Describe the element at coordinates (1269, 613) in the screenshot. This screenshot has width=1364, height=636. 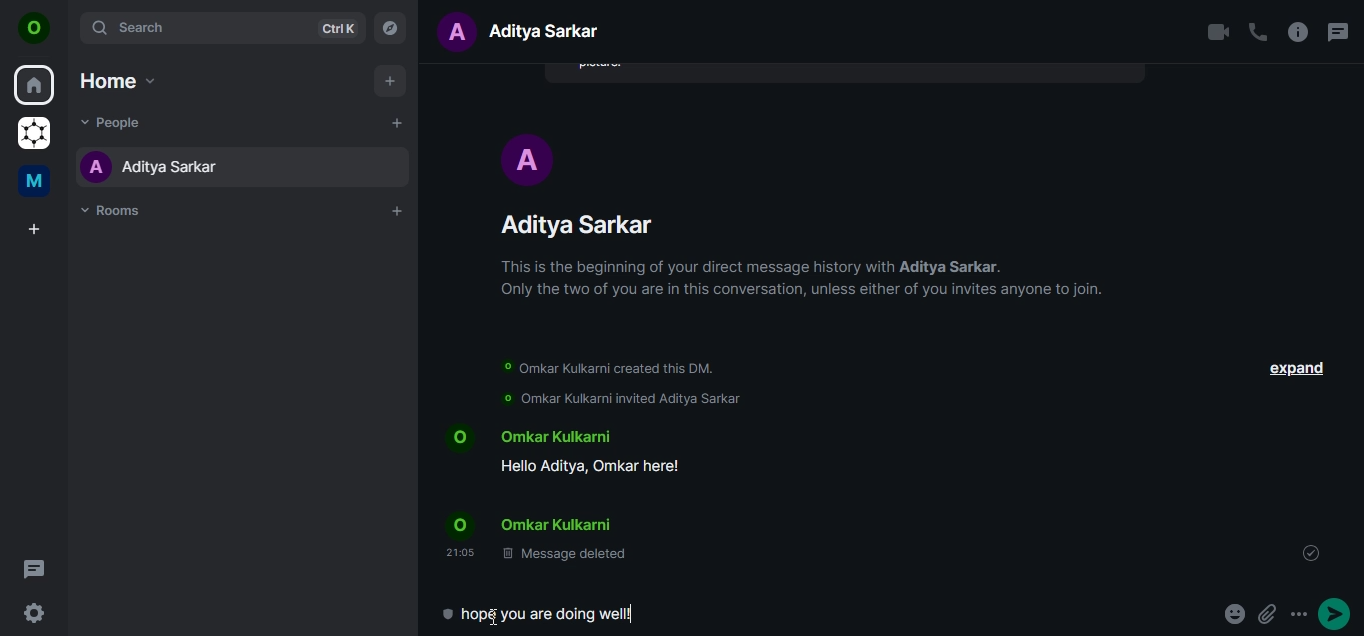
I see `attachment` at that location.